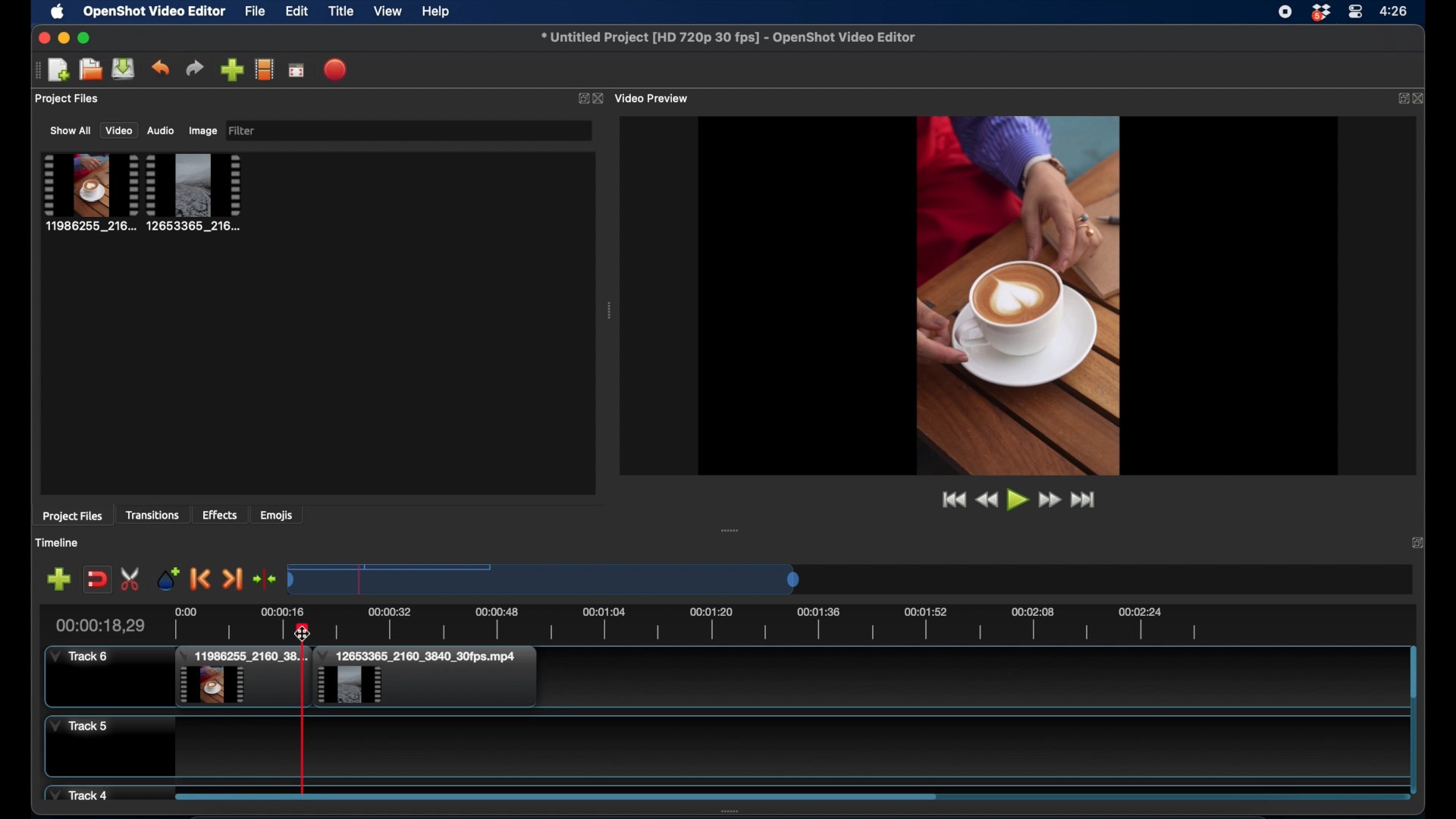  Describe the element at coordinates (336, 69) in the screenshot. I see `export video` at that location.